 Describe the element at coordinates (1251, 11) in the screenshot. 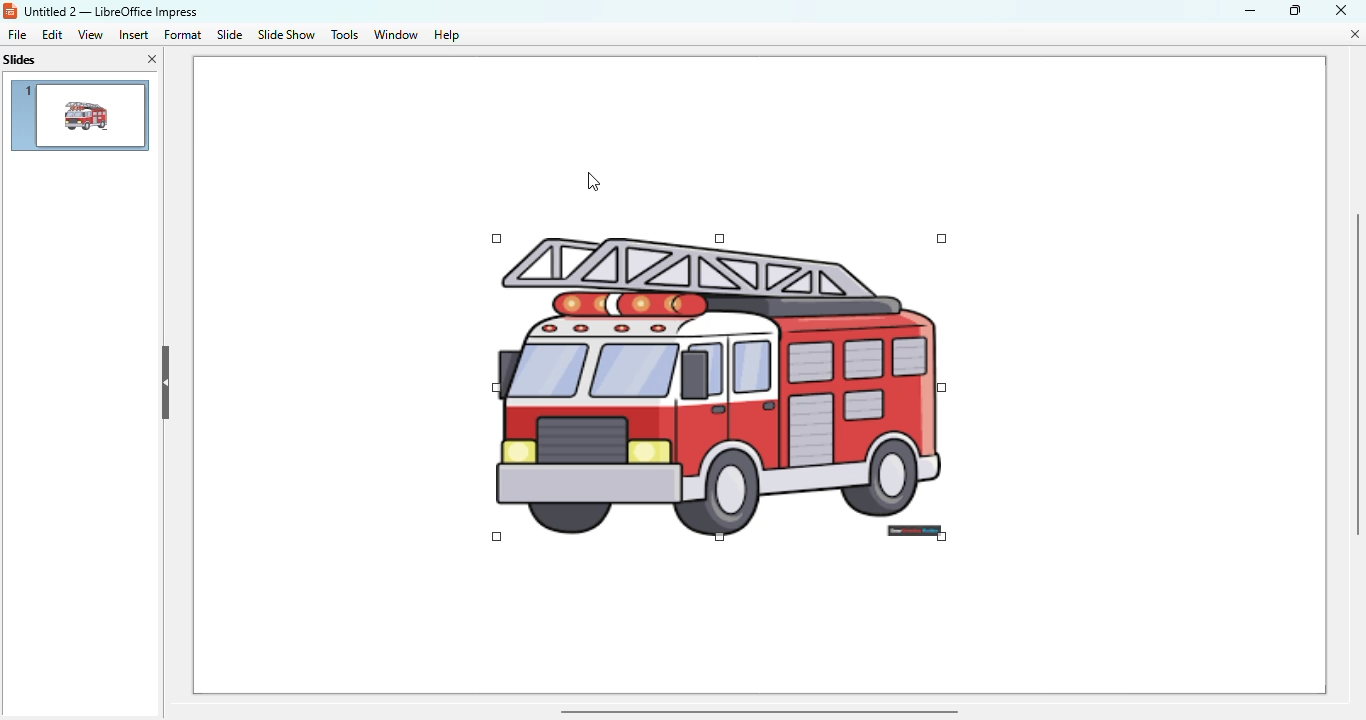

I see `minimize` at that location.